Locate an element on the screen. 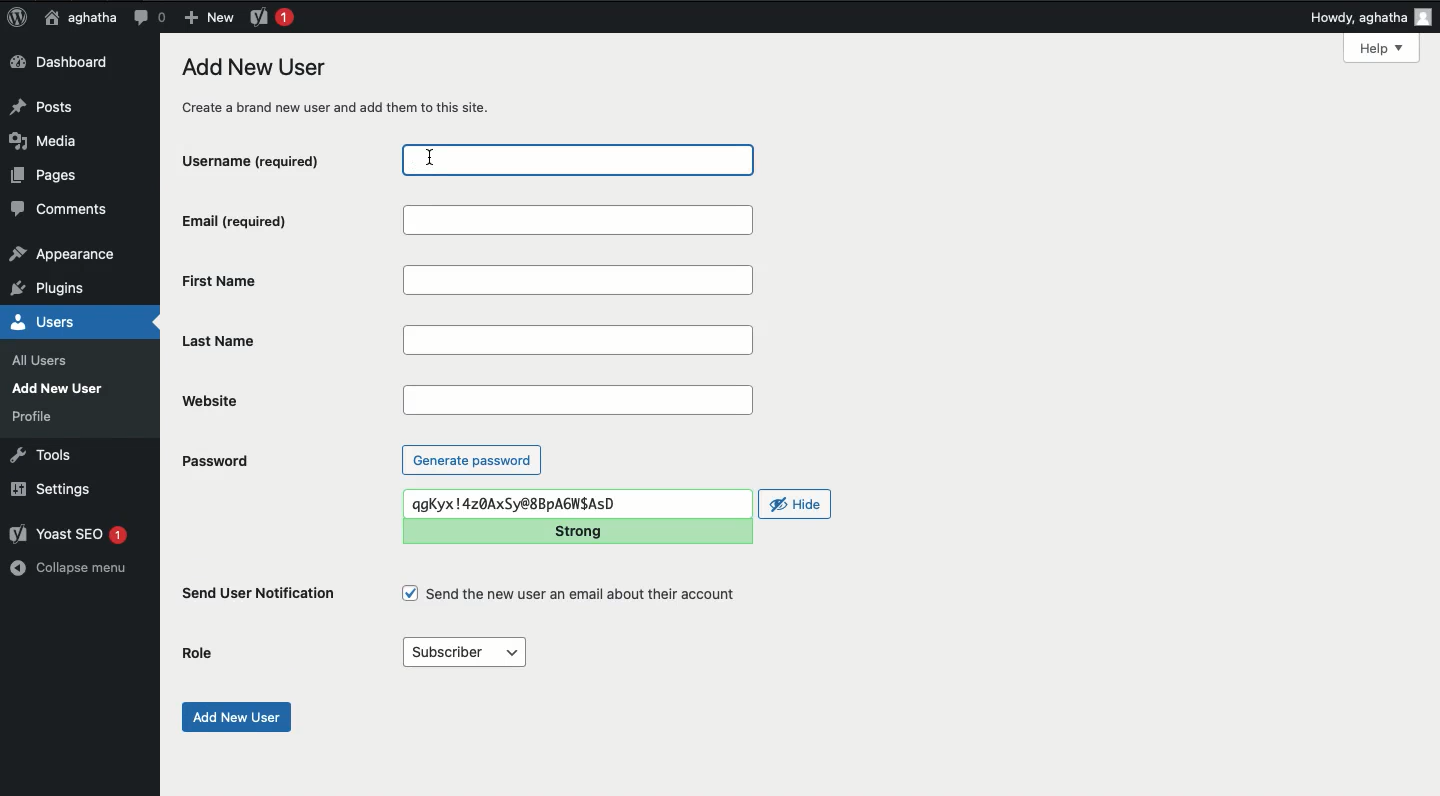 The width and height of the screenshot is (1440, 796). Comments is located at coordinates (61, 212).